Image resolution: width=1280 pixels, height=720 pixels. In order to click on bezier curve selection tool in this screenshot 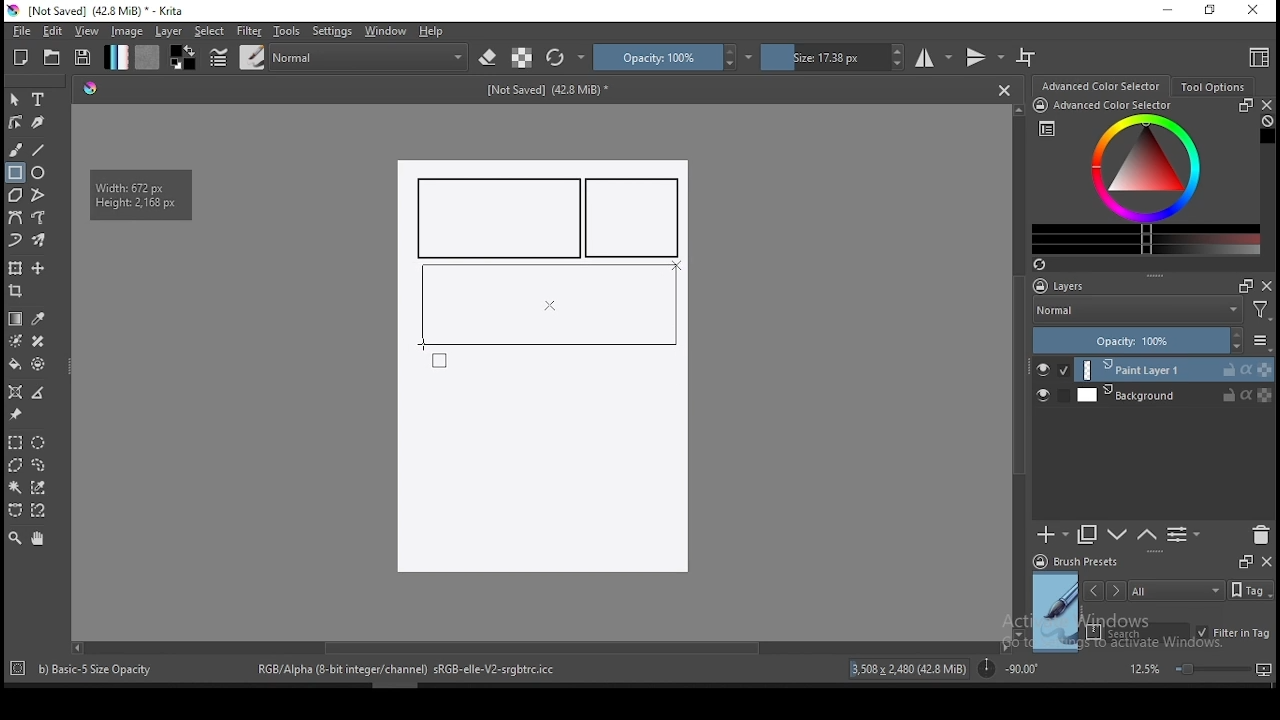, I will do `click(15, 511)`.